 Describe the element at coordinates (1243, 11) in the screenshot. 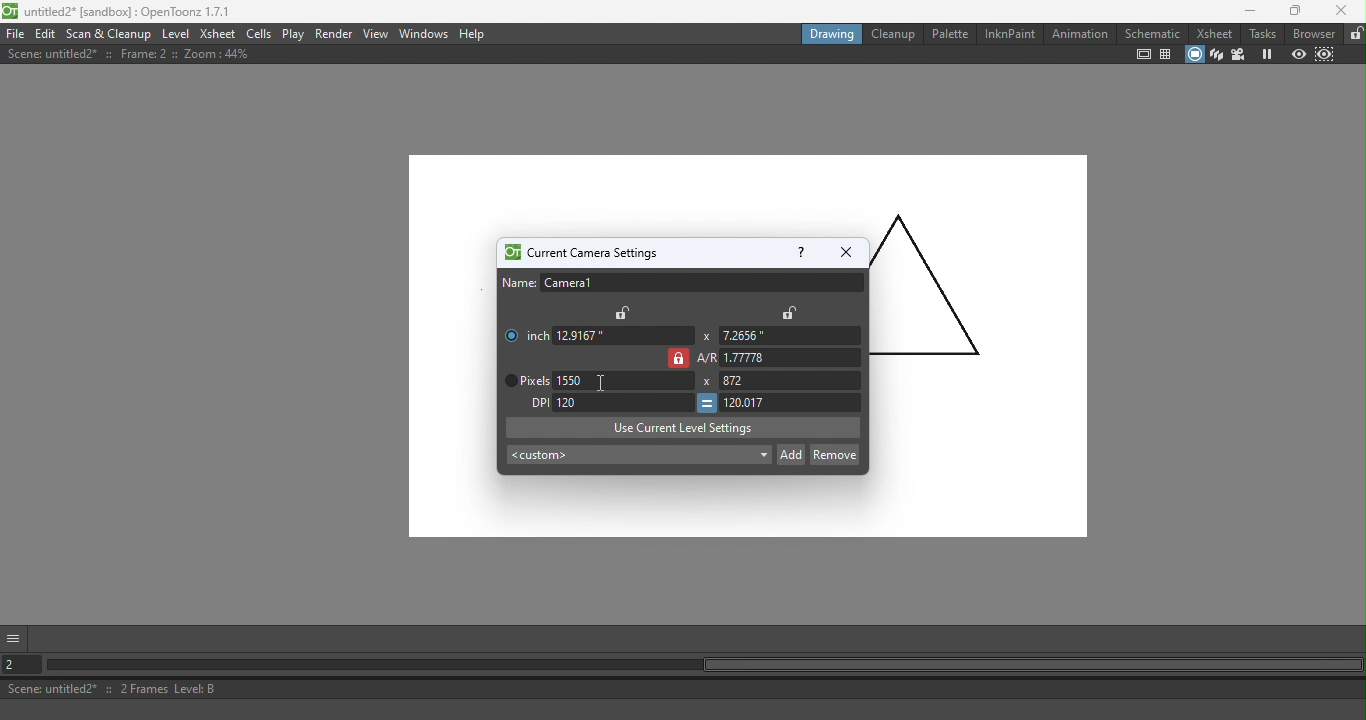

I see `Minimize` at that location.